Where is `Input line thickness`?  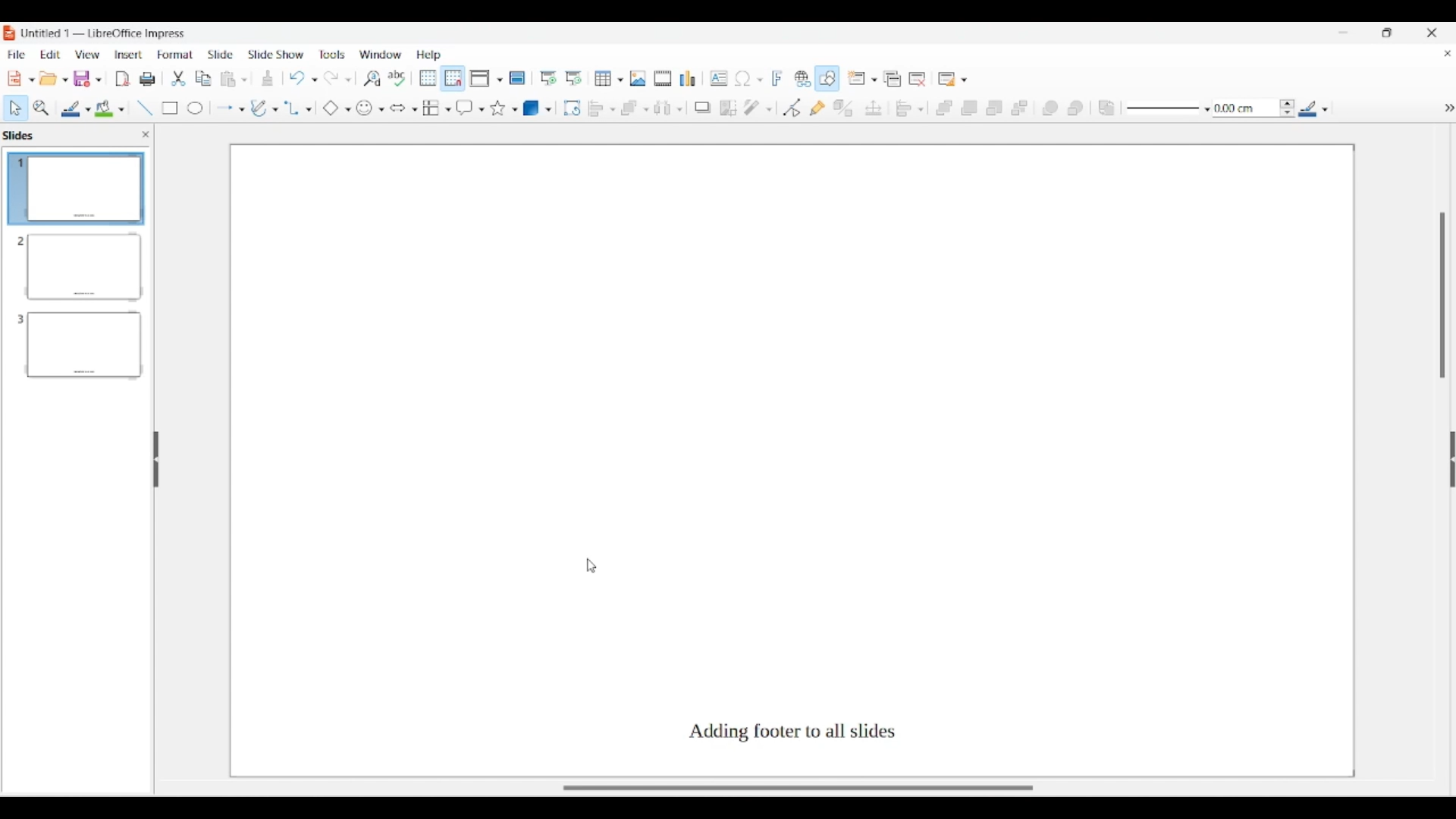 Input line thickness is located at coordinates (1245, 108).